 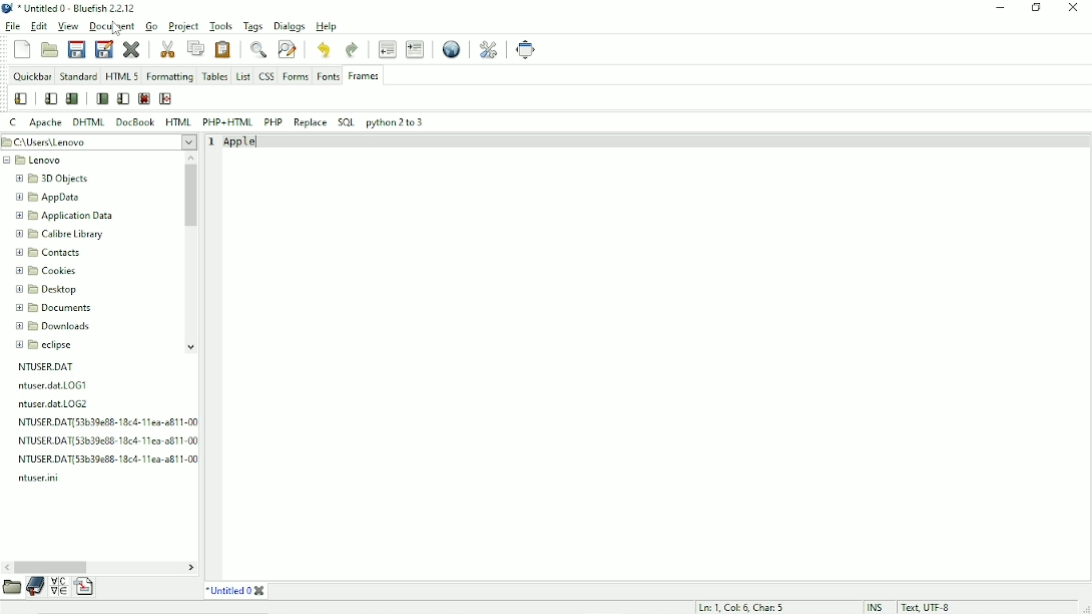 I want to click on Ln:1, Col: 6, Char:5, so click(x=741, y=606).